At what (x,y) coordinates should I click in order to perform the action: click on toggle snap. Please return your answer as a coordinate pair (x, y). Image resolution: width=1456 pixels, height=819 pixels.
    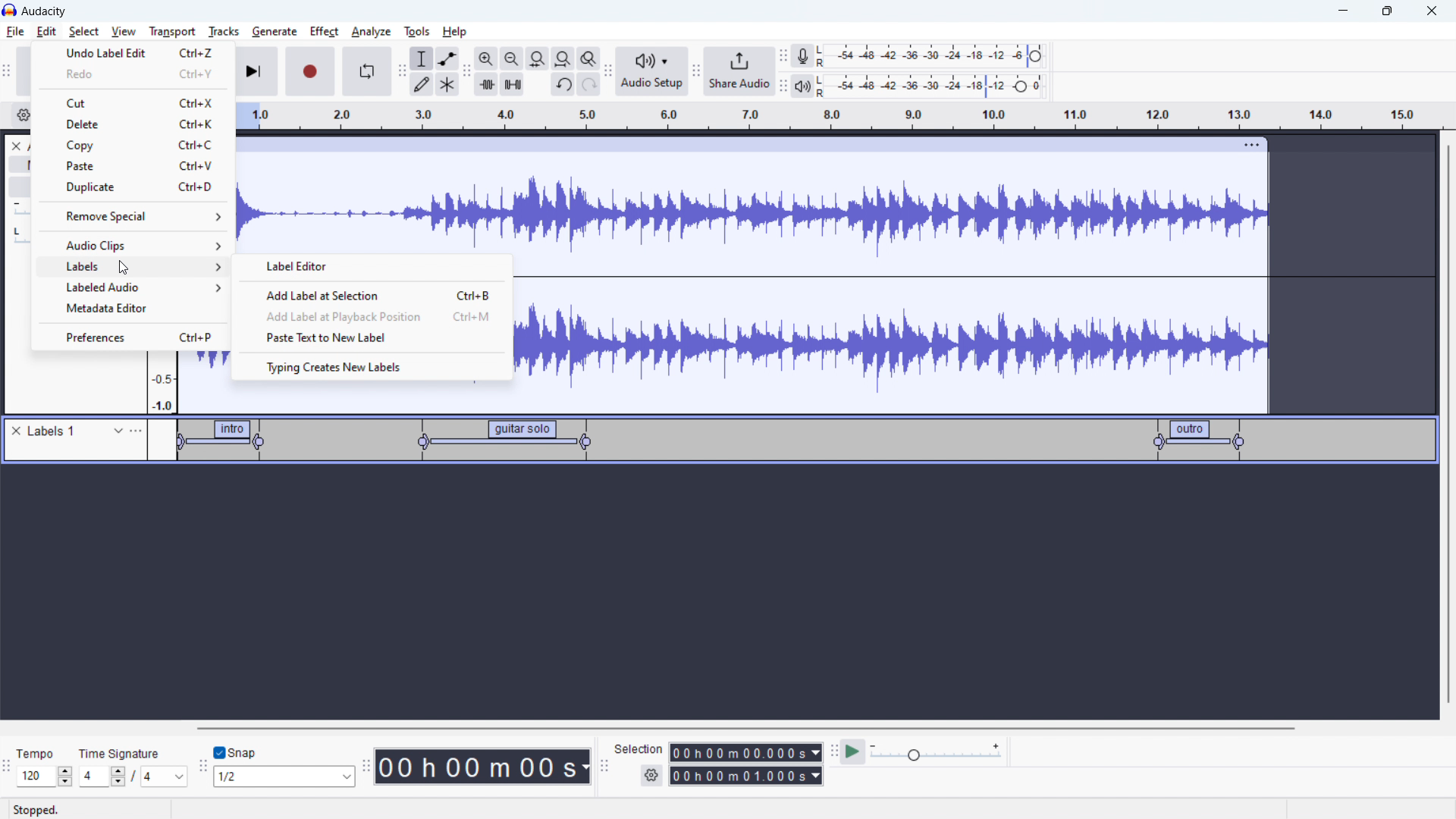
    Looking at the image, I should click on (236, 753).